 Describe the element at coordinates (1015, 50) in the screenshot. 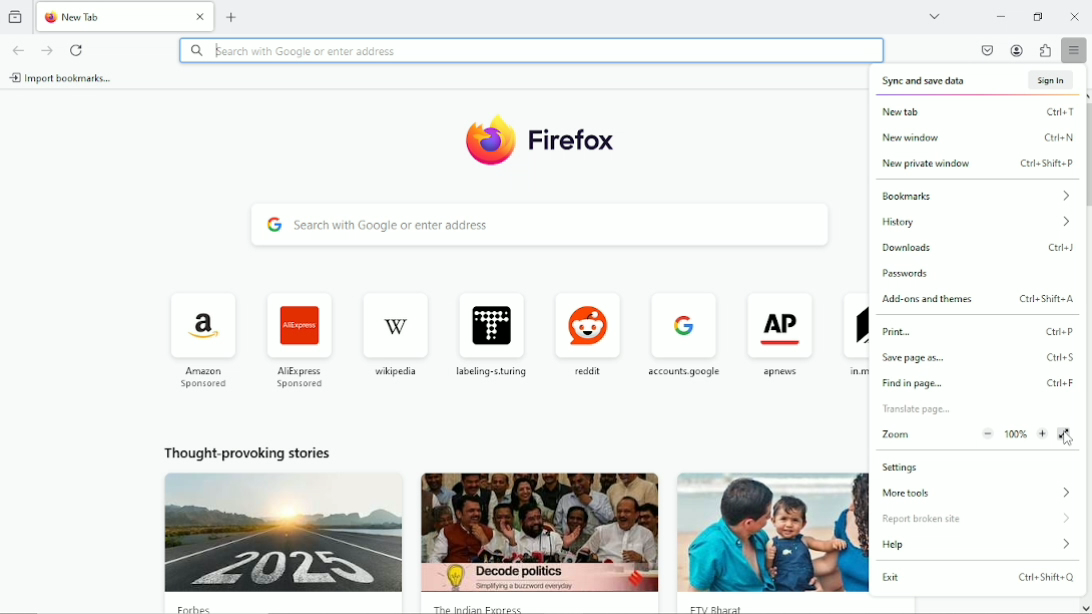

I see `account` at that location.